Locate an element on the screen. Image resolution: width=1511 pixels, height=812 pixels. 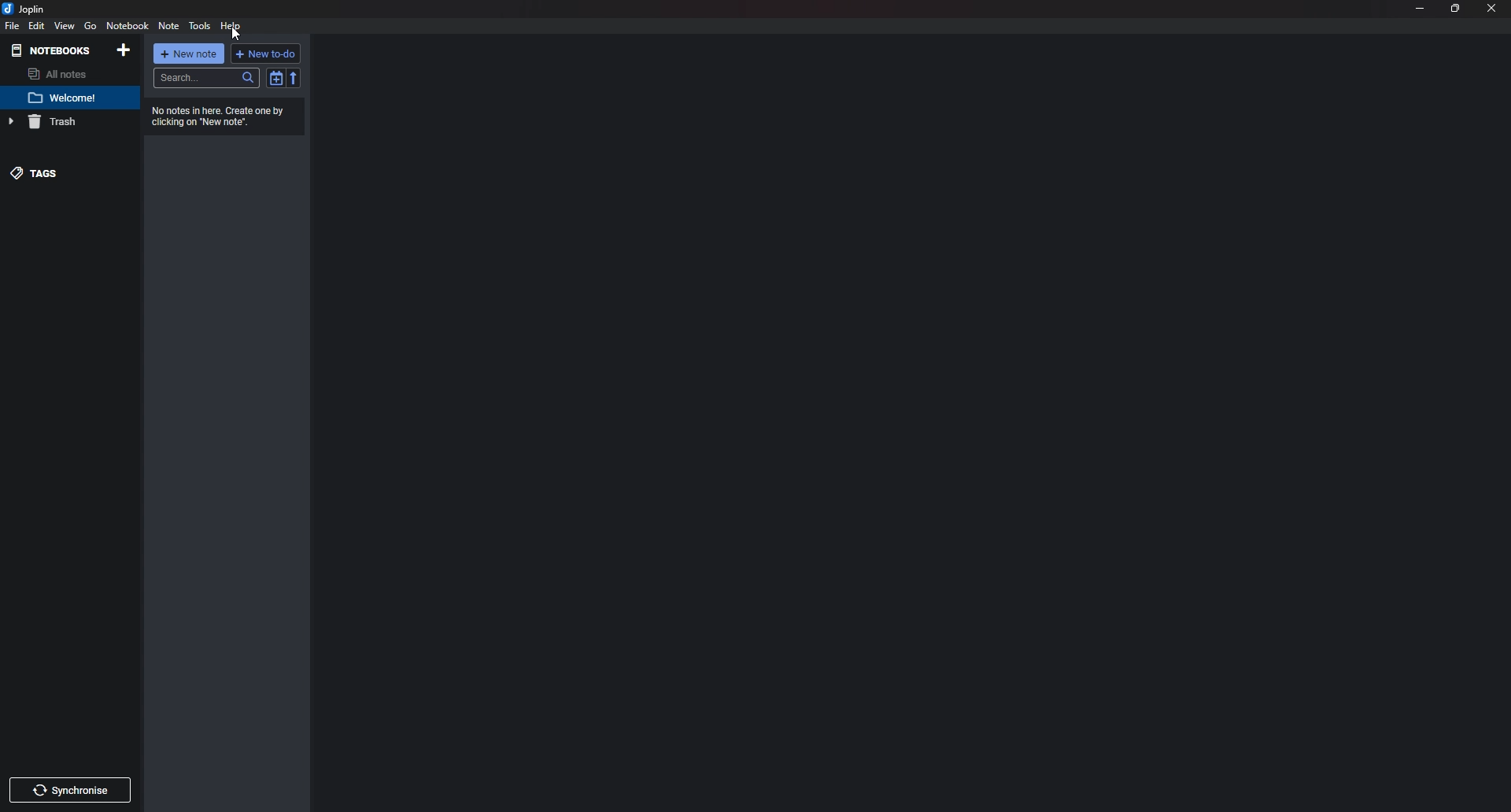
help is located at coordinates (231, 27).